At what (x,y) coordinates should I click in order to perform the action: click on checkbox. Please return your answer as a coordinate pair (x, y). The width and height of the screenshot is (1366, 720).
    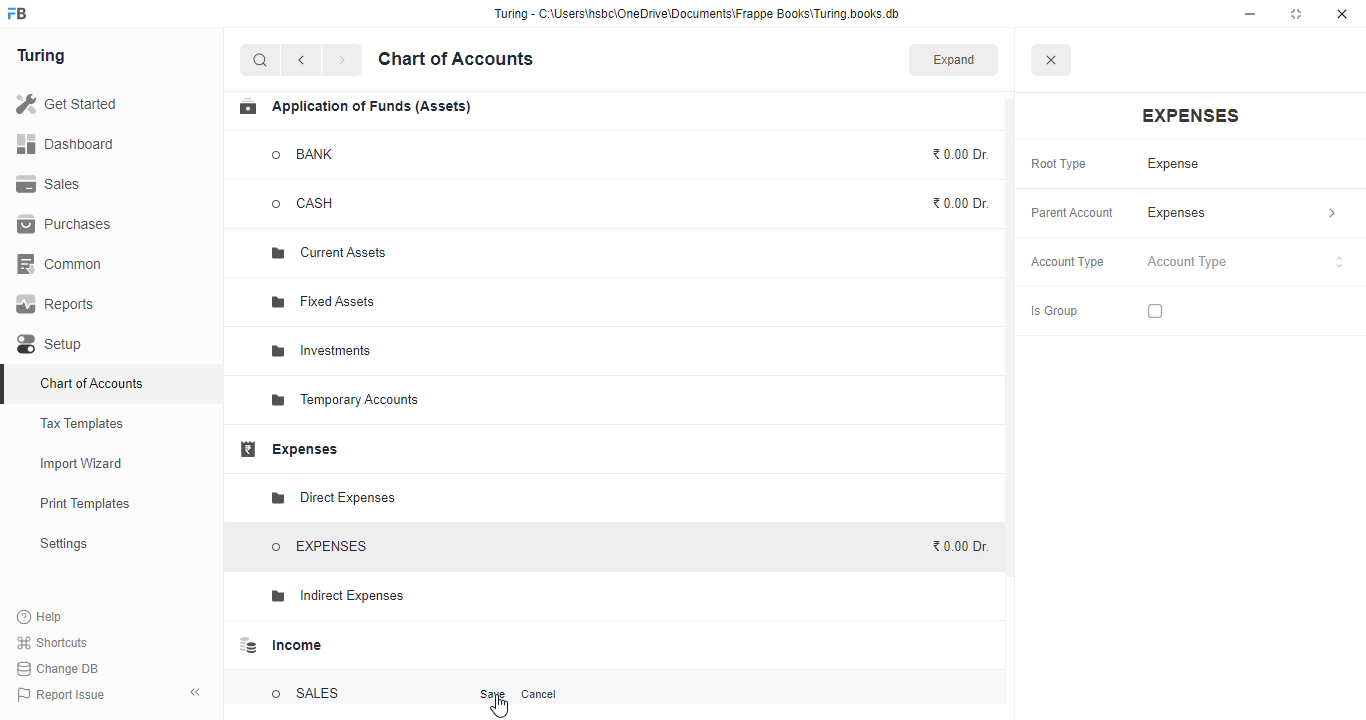
    Looking at the image, I should click on (1155, 311).